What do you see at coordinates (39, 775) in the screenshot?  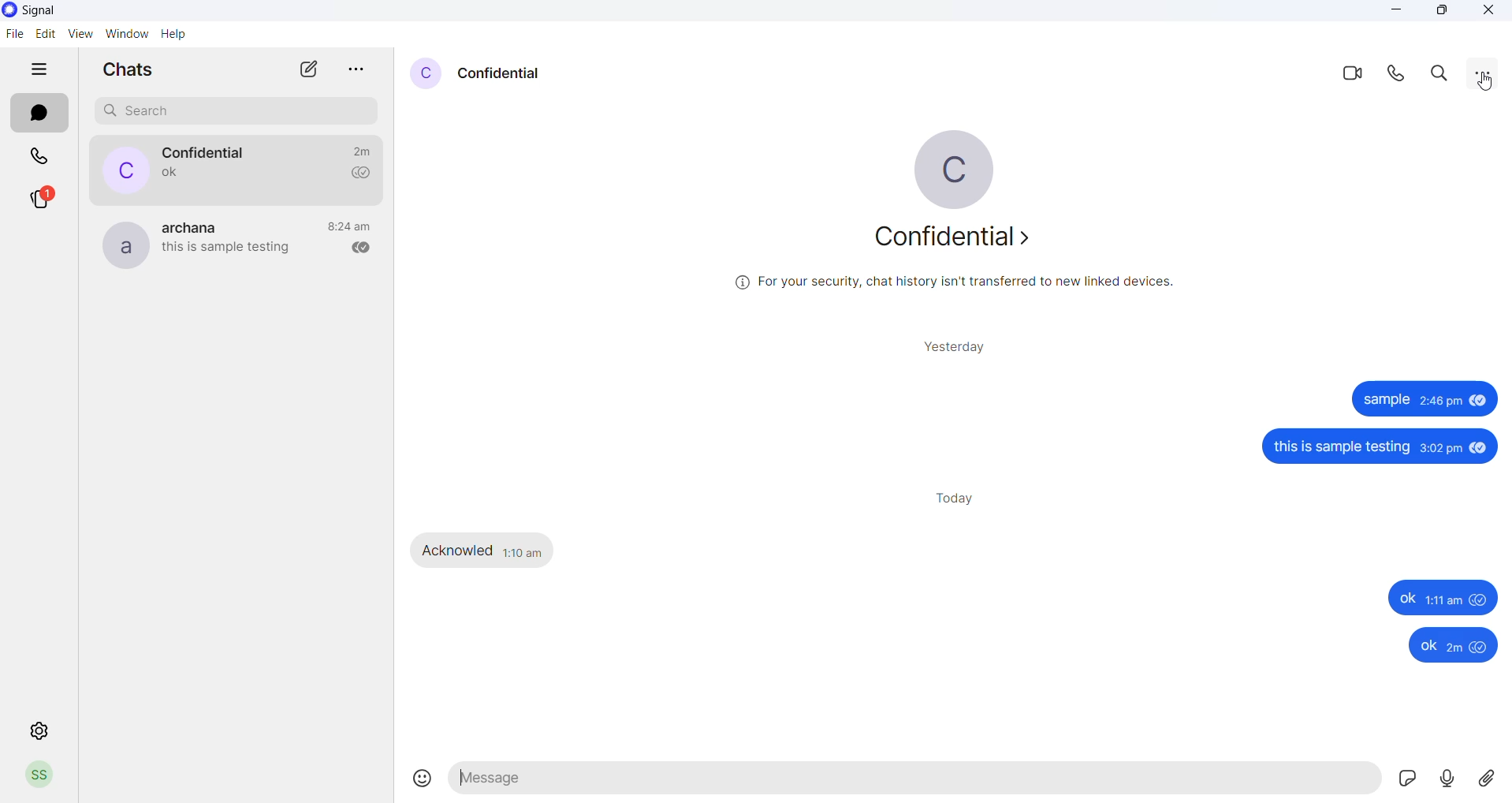 I see `profile` at bounding box center [39, 775].